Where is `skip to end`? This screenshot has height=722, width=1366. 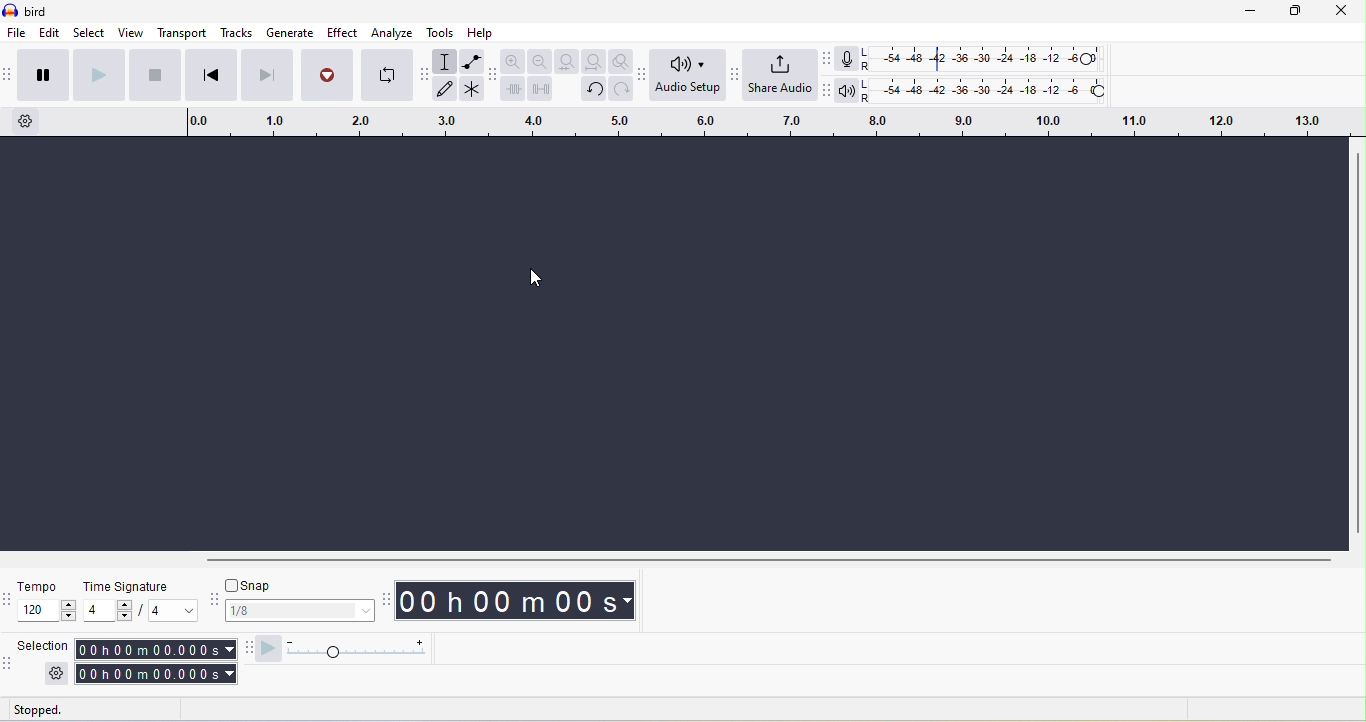 skip to end is located at coordinates (271, 77).